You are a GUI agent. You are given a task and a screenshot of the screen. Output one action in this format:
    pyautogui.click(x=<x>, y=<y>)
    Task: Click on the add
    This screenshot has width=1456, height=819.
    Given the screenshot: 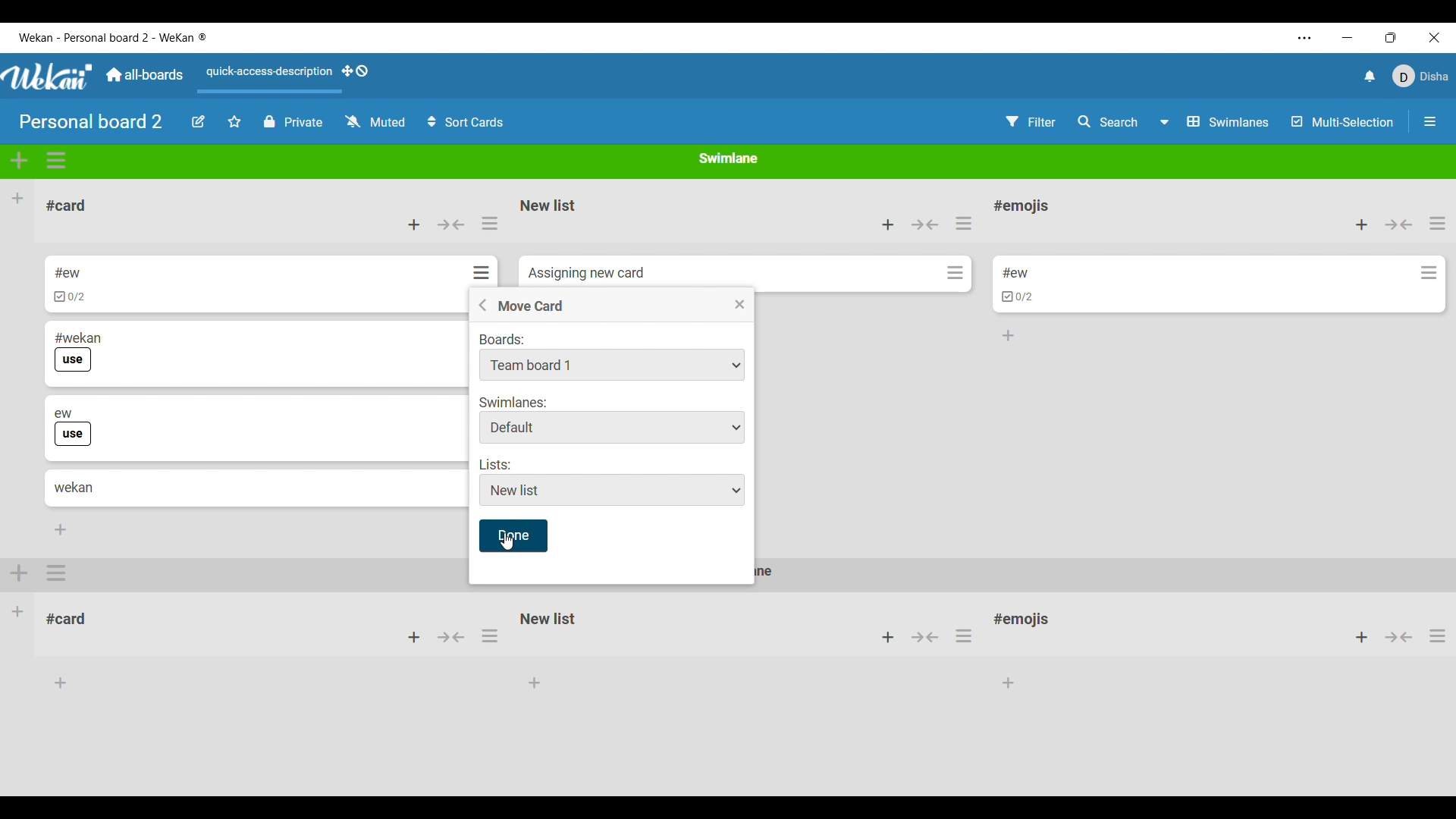 What is the action you would take?
    pyautogui.click(x=20, y=571)
    